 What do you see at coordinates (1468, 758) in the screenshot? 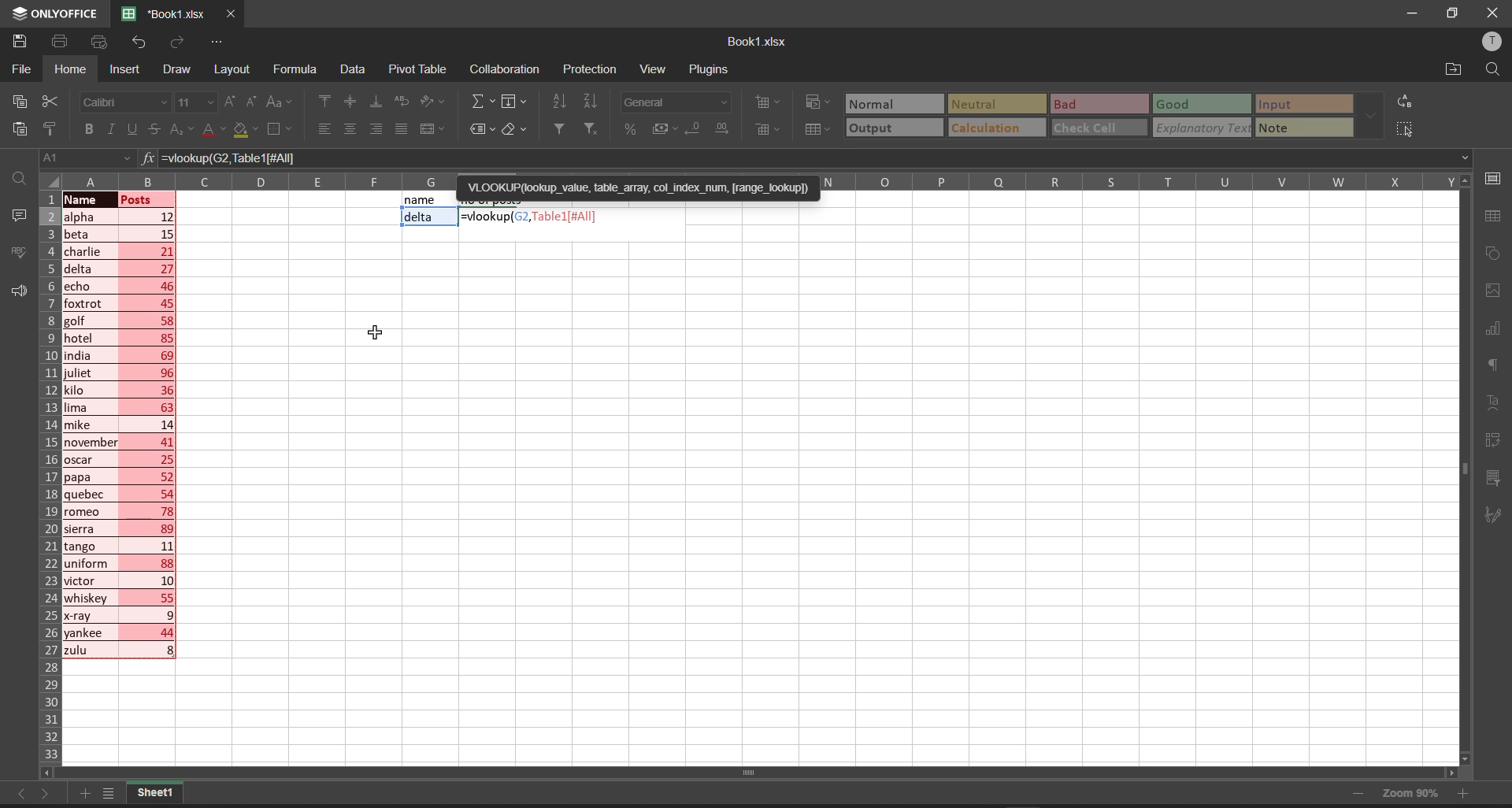
I see `scroll down` at bounding box center [1468, 758].